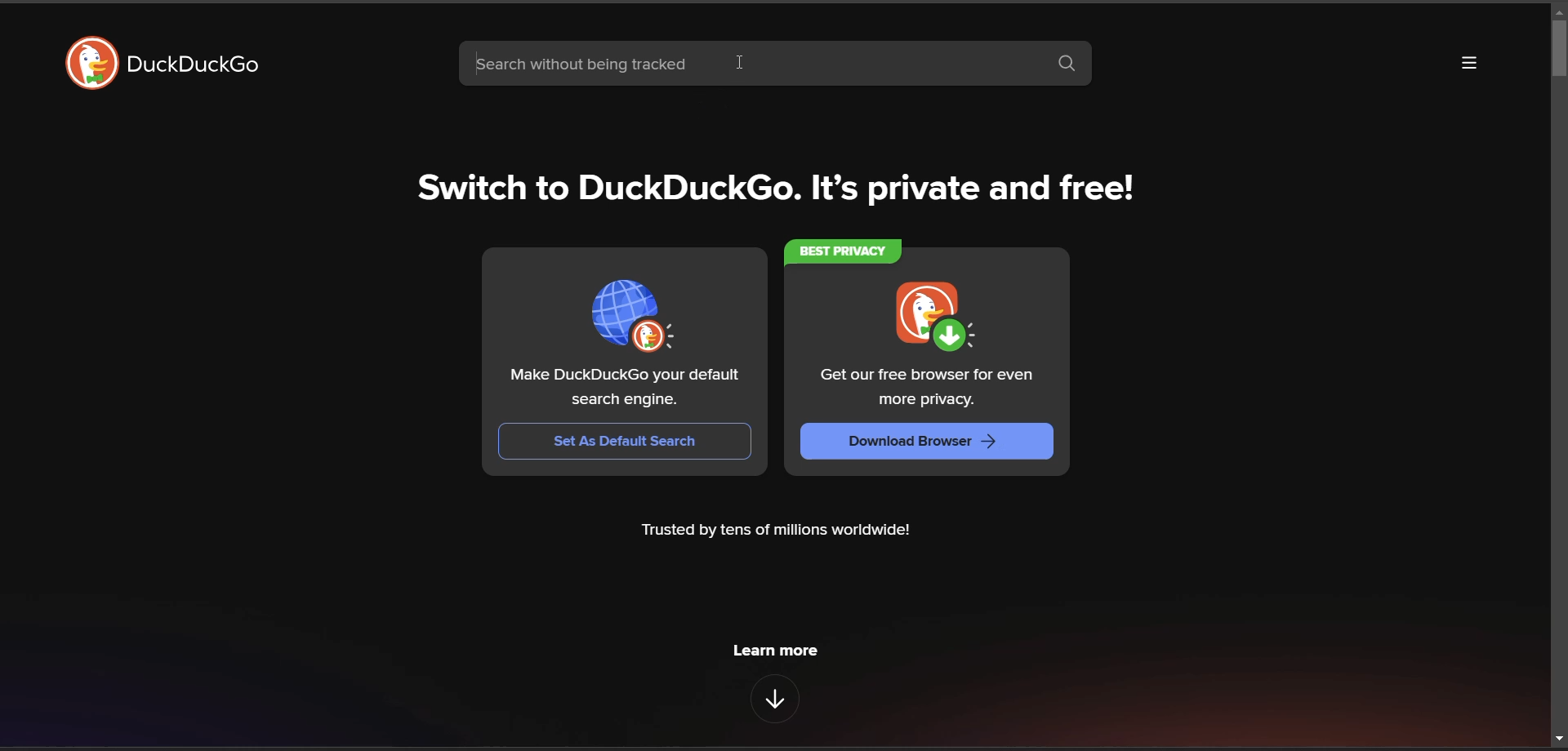 This screenshot has width=1568, height=751. Describe the element at coordinates (925, 389) in the screenshot. I see `Get our free browser for even
more privacy.` at that location.